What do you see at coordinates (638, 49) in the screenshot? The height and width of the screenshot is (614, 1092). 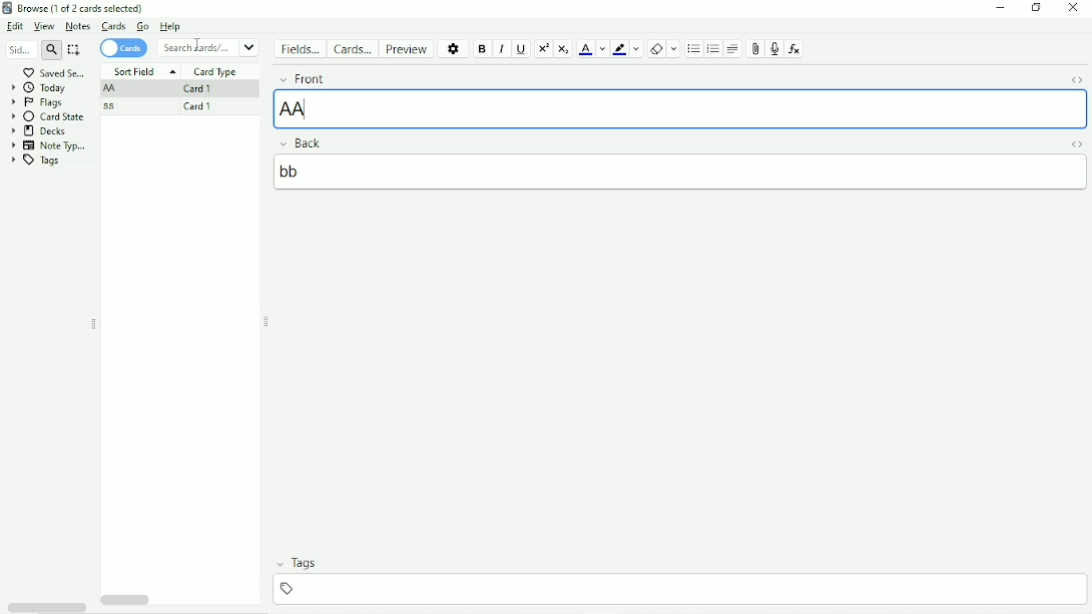 I see `Change color` at bounding box center [638, 49].